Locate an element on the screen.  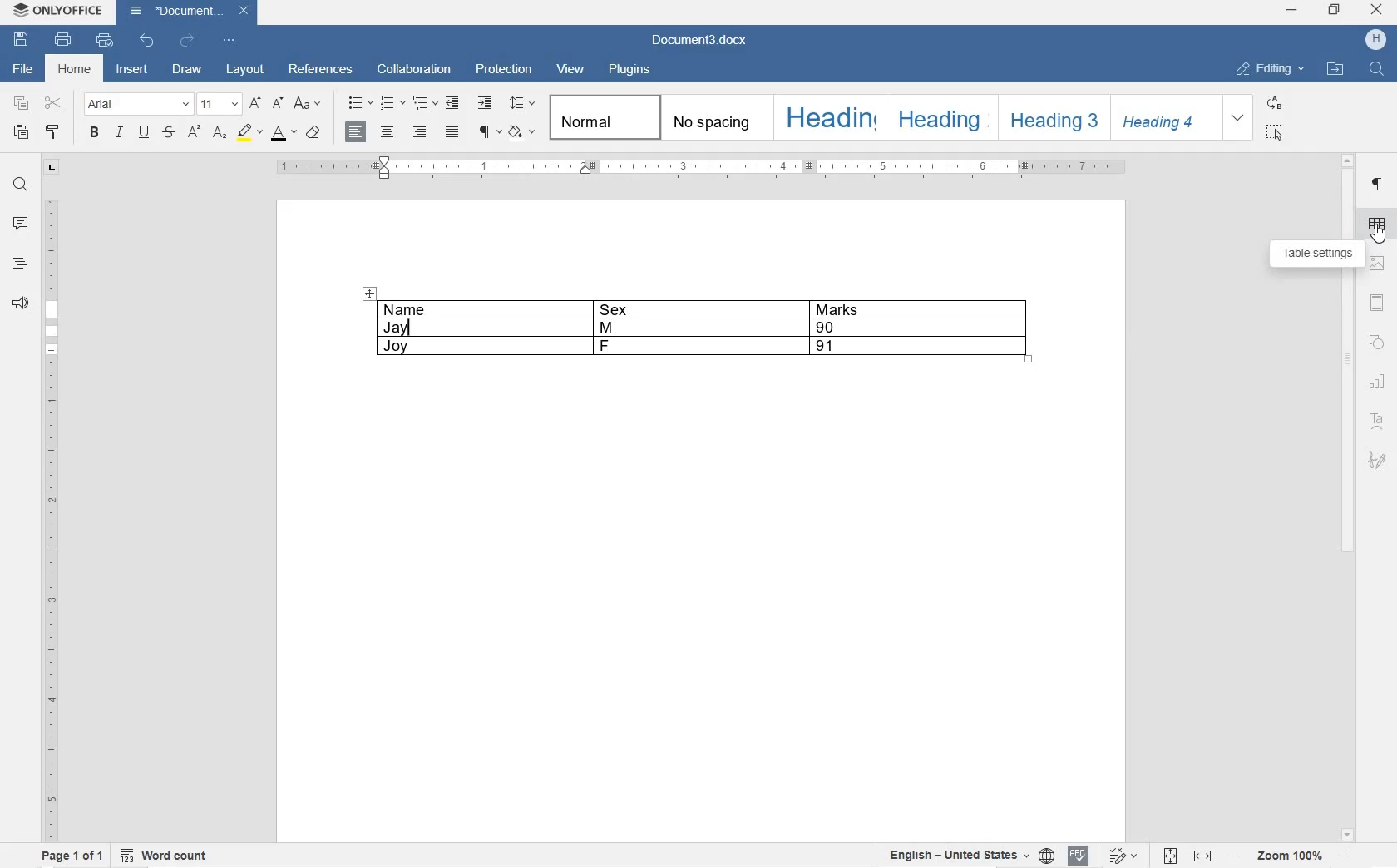
DRAW is located at coordinates (188, 70).